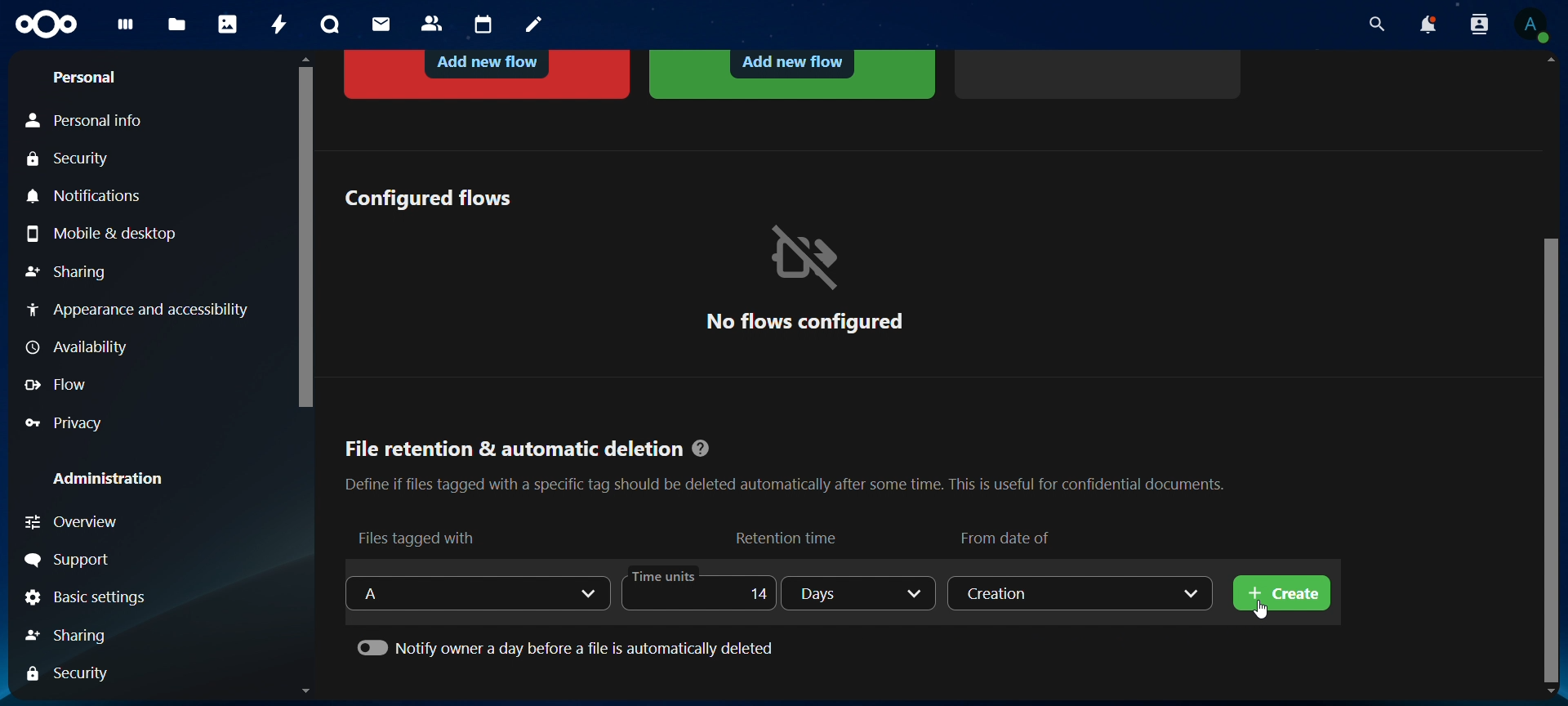 This screenshot has width=1568, height=706. Describe the element at coordinates (73, 160) in the screenshot. I see `security` at that location.